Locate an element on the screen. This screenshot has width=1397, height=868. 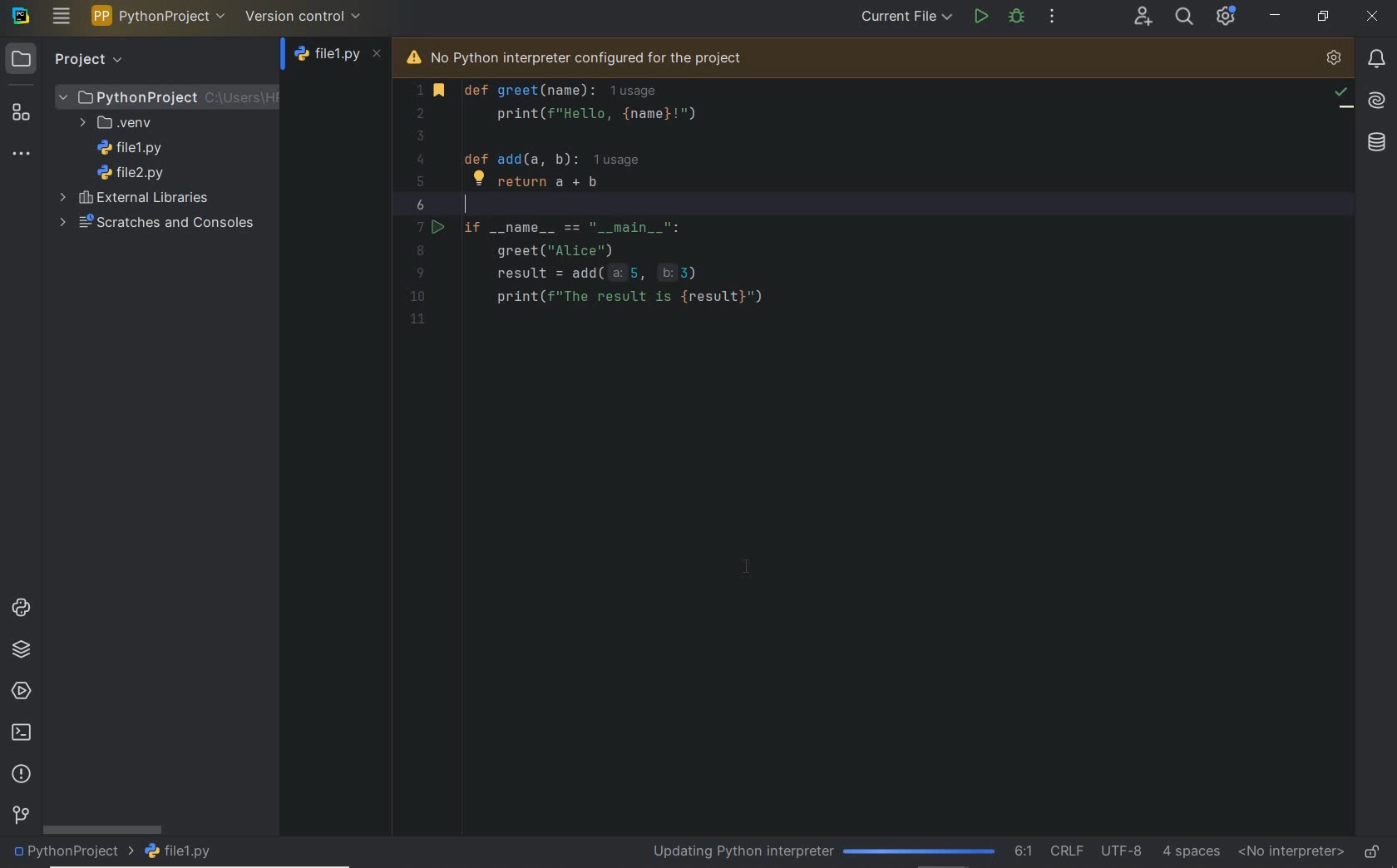
RESTORE DOWN is located at coordinates (1322, 16).